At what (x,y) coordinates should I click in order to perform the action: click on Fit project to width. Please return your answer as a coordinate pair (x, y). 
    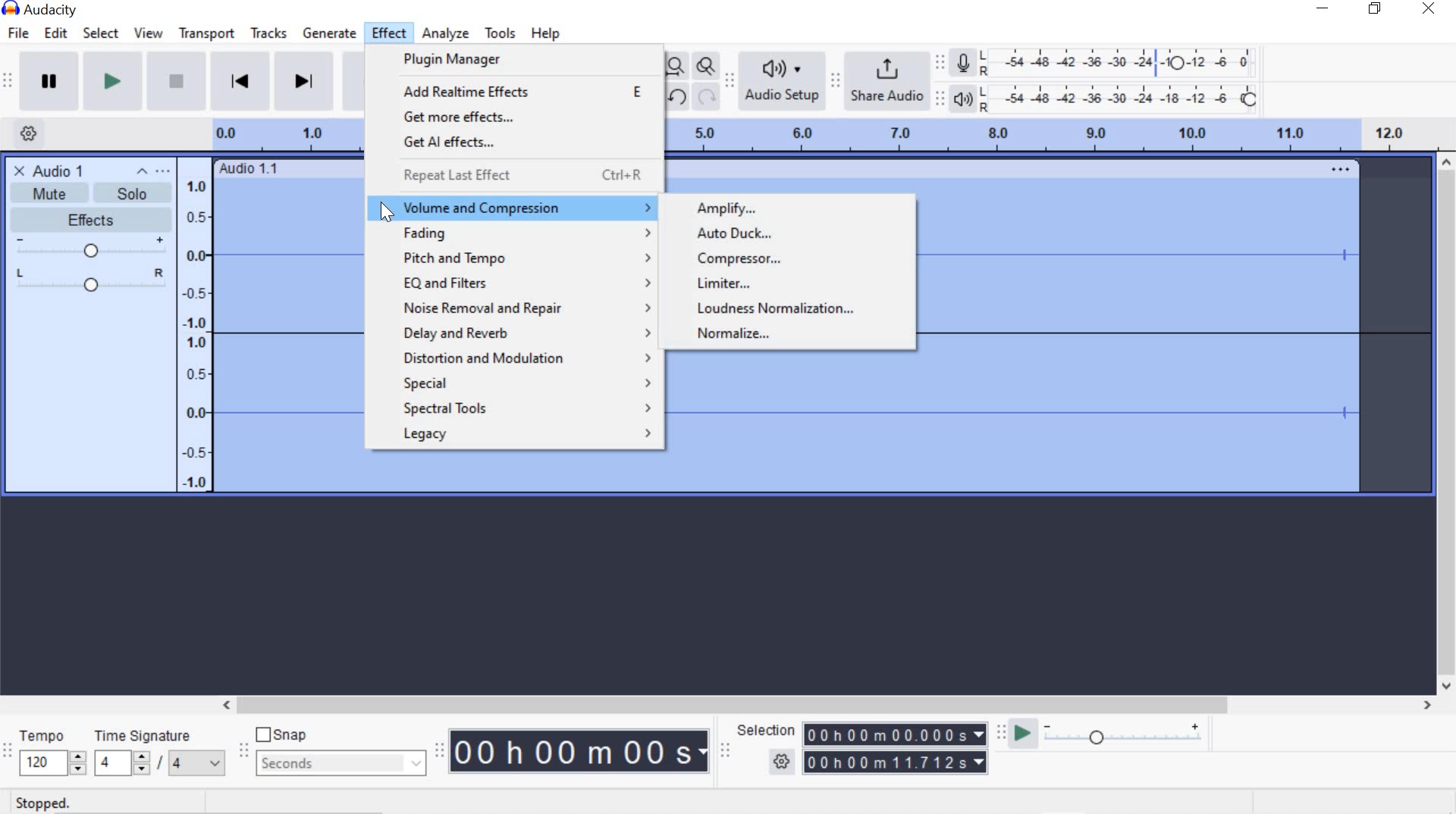
    Looking at the image, I should click on (676, 67).